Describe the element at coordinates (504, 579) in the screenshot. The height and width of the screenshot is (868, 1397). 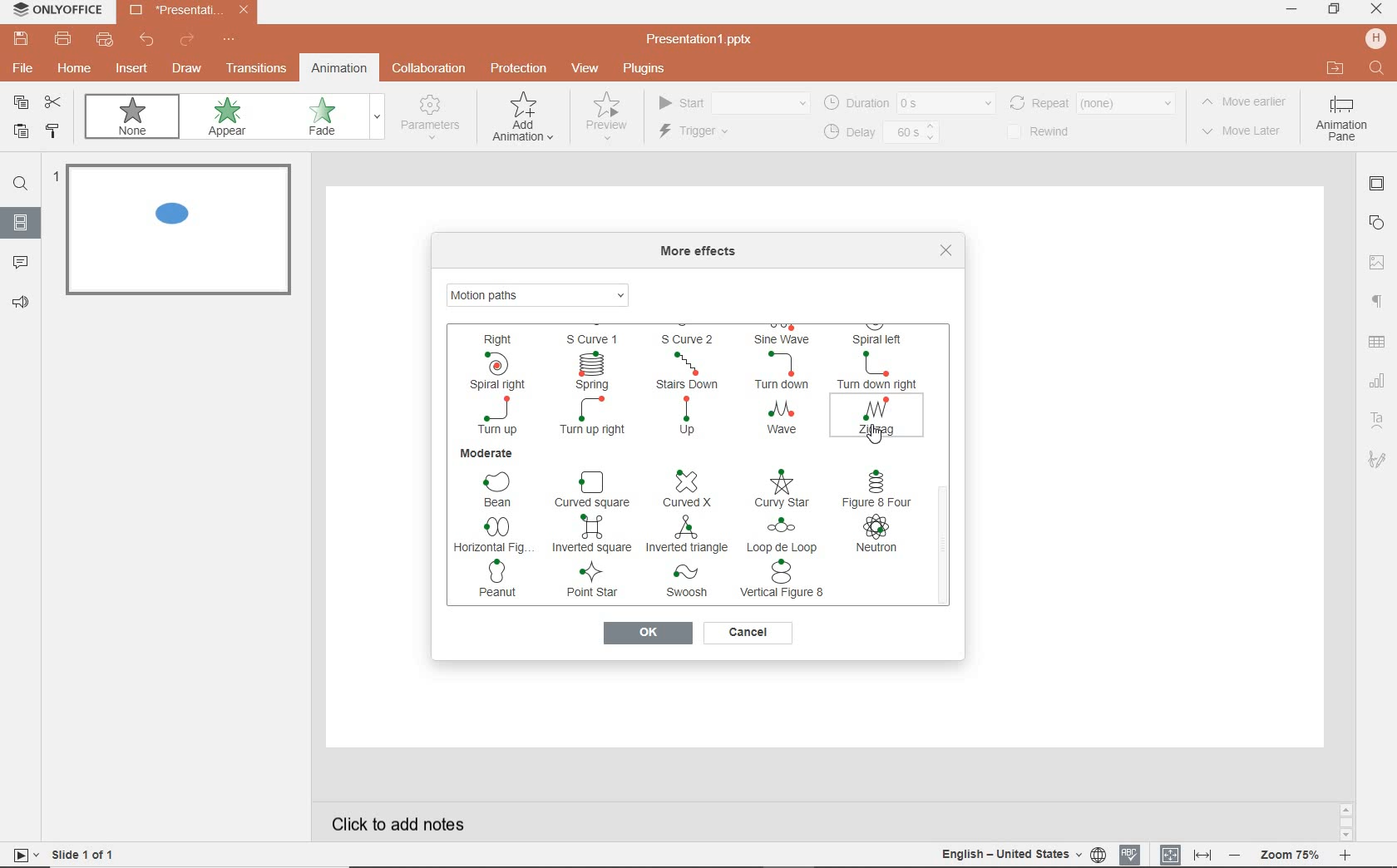
I see `PEANUT` at that location.